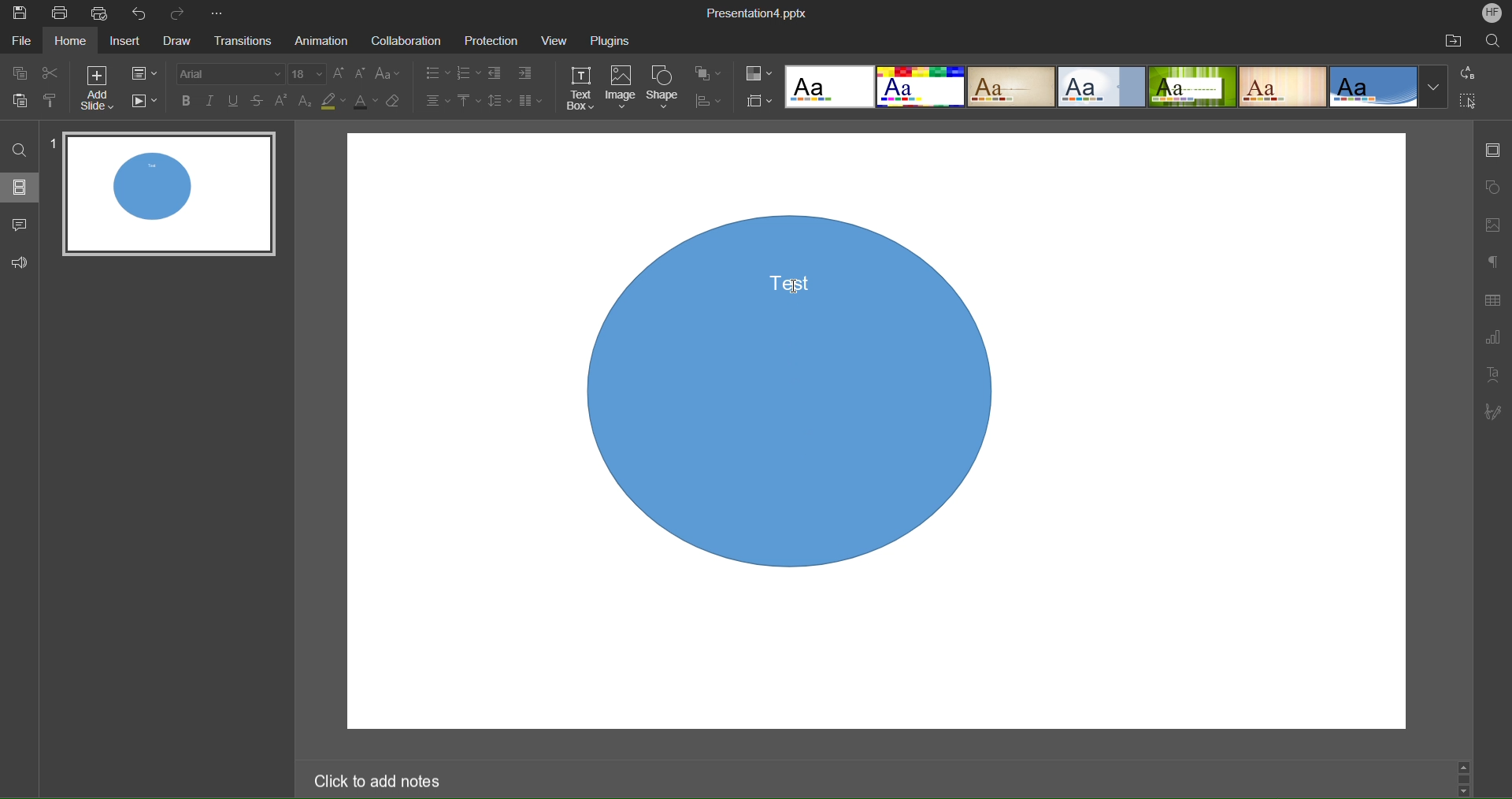 The height and width of the screenshot is (799, 1512). I want to click on Playback, so click(145, 105).